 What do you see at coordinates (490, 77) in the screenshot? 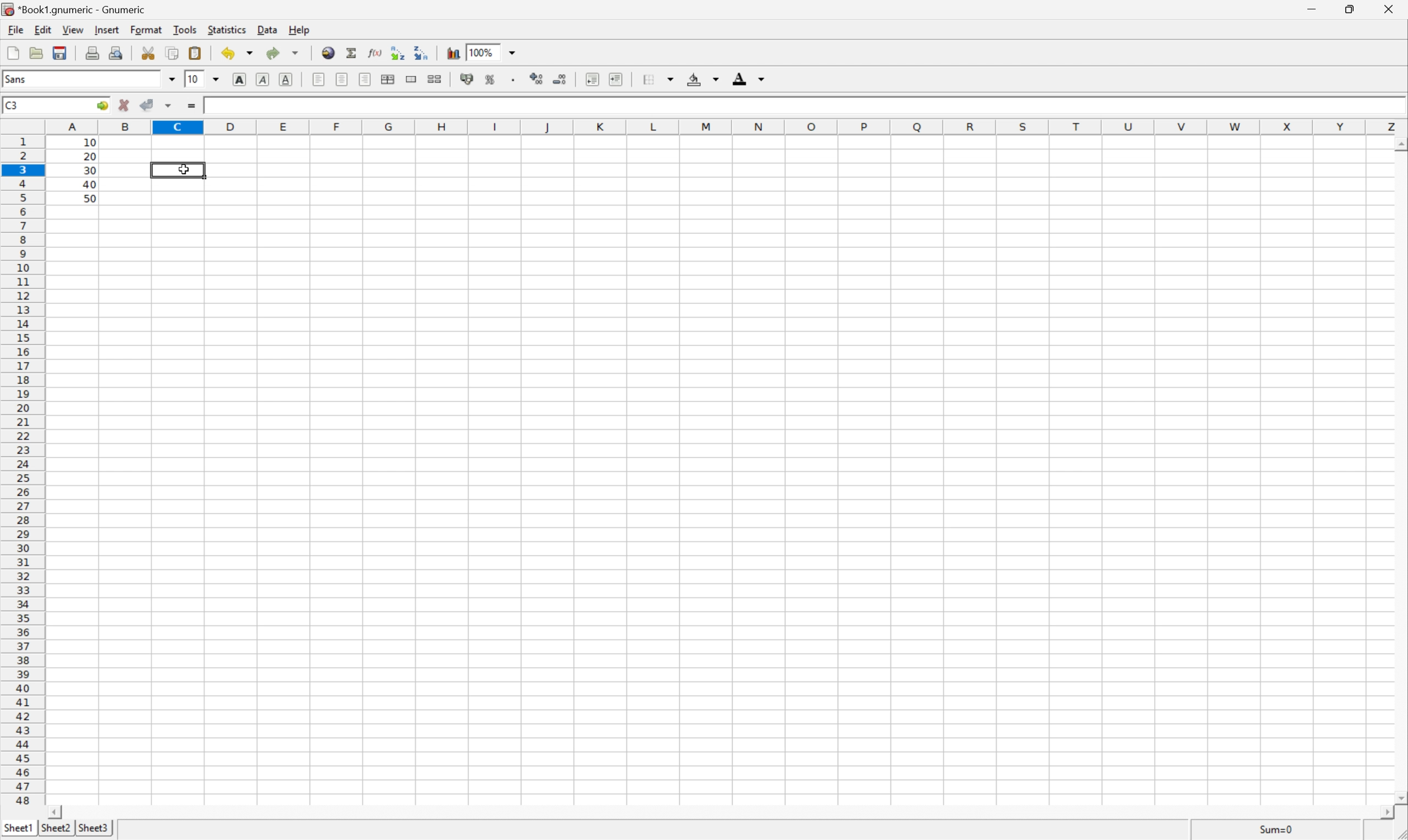
I see `Format the selection as percentage` at bounding box center [490, 77].